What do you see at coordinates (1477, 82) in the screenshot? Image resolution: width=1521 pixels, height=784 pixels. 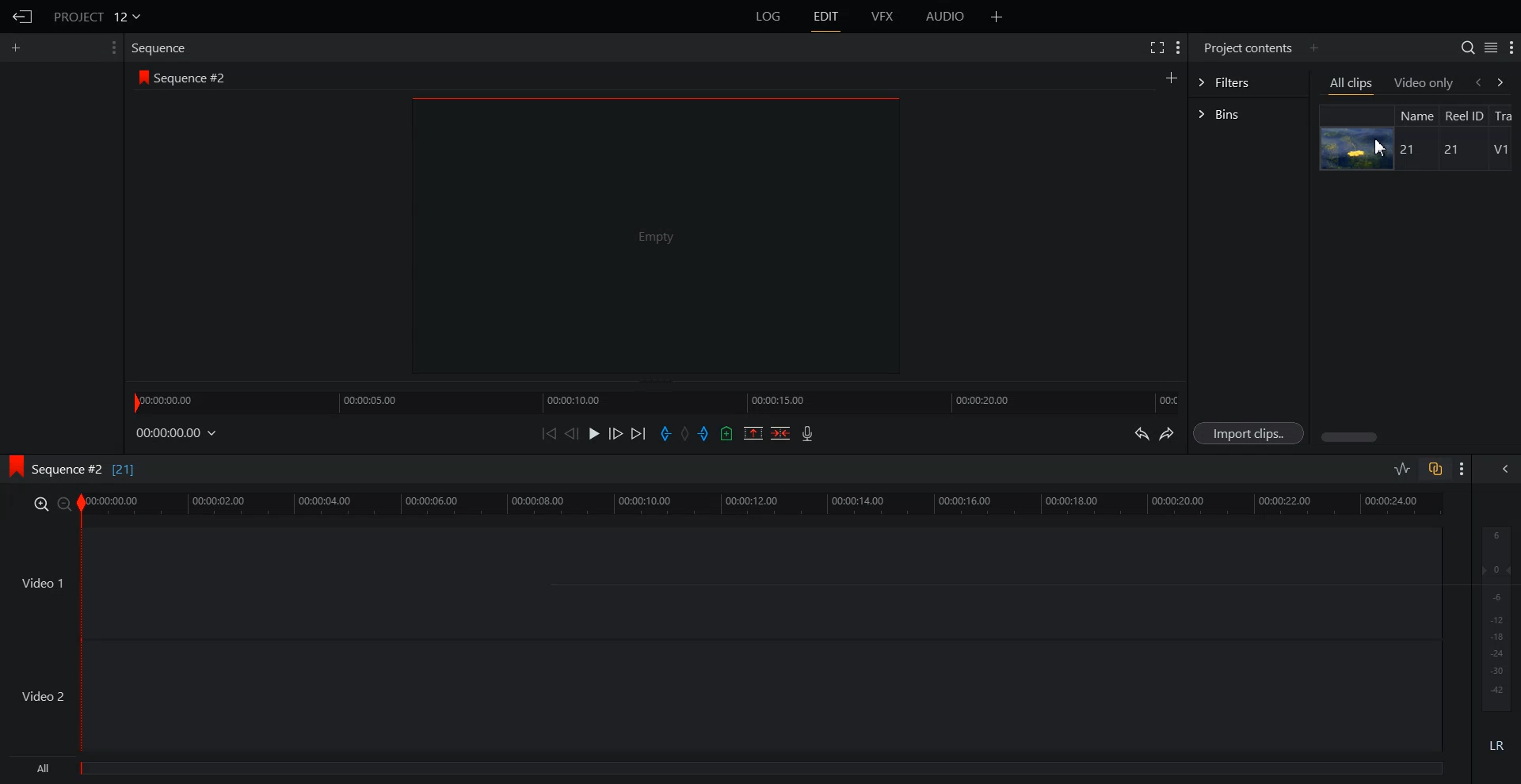 I see `backward` at bounding box center [1477, 82].